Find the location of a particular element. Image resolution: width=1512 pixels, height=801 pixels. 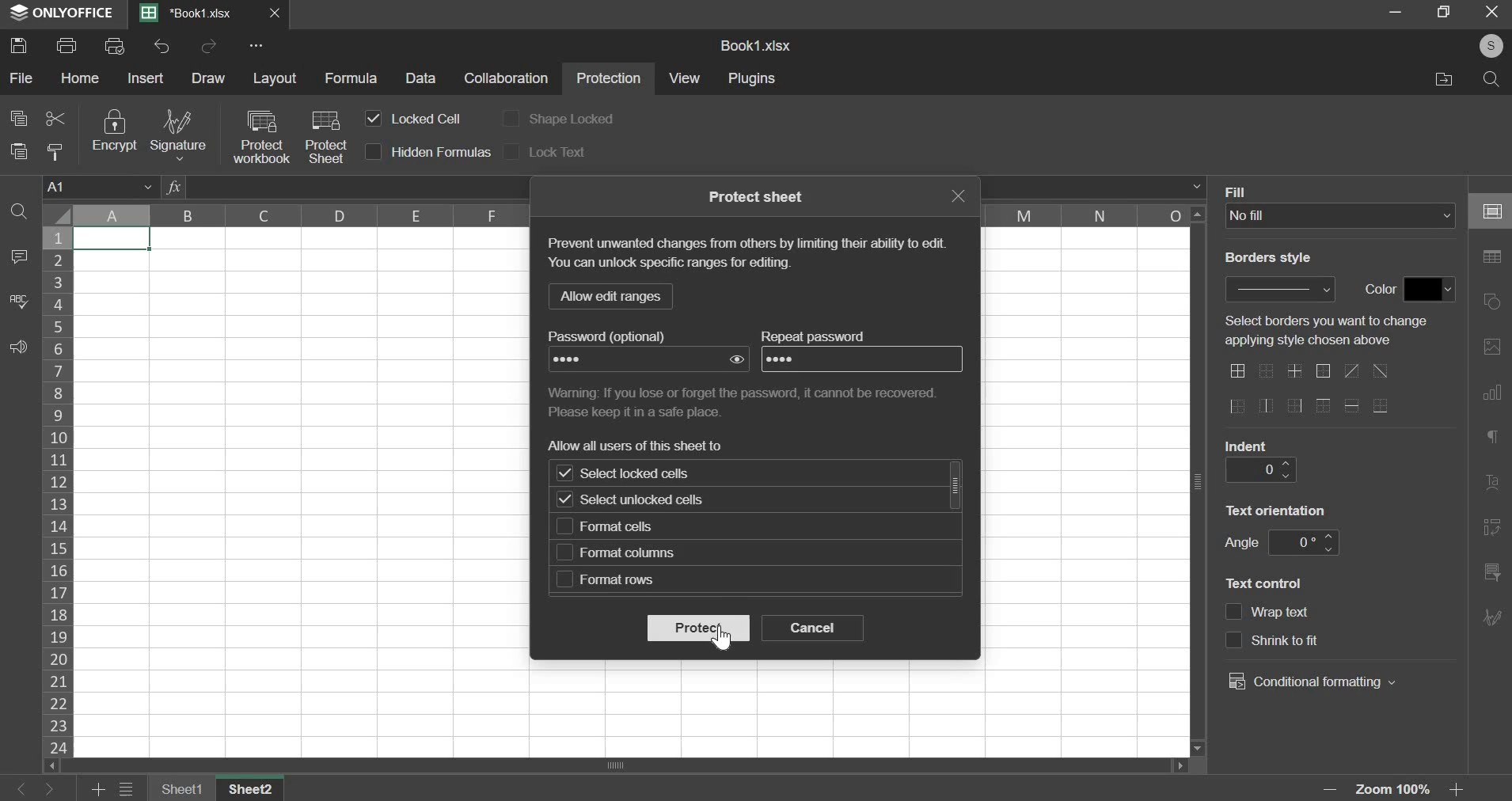

checkbox is located at coordinates (1233, 640).